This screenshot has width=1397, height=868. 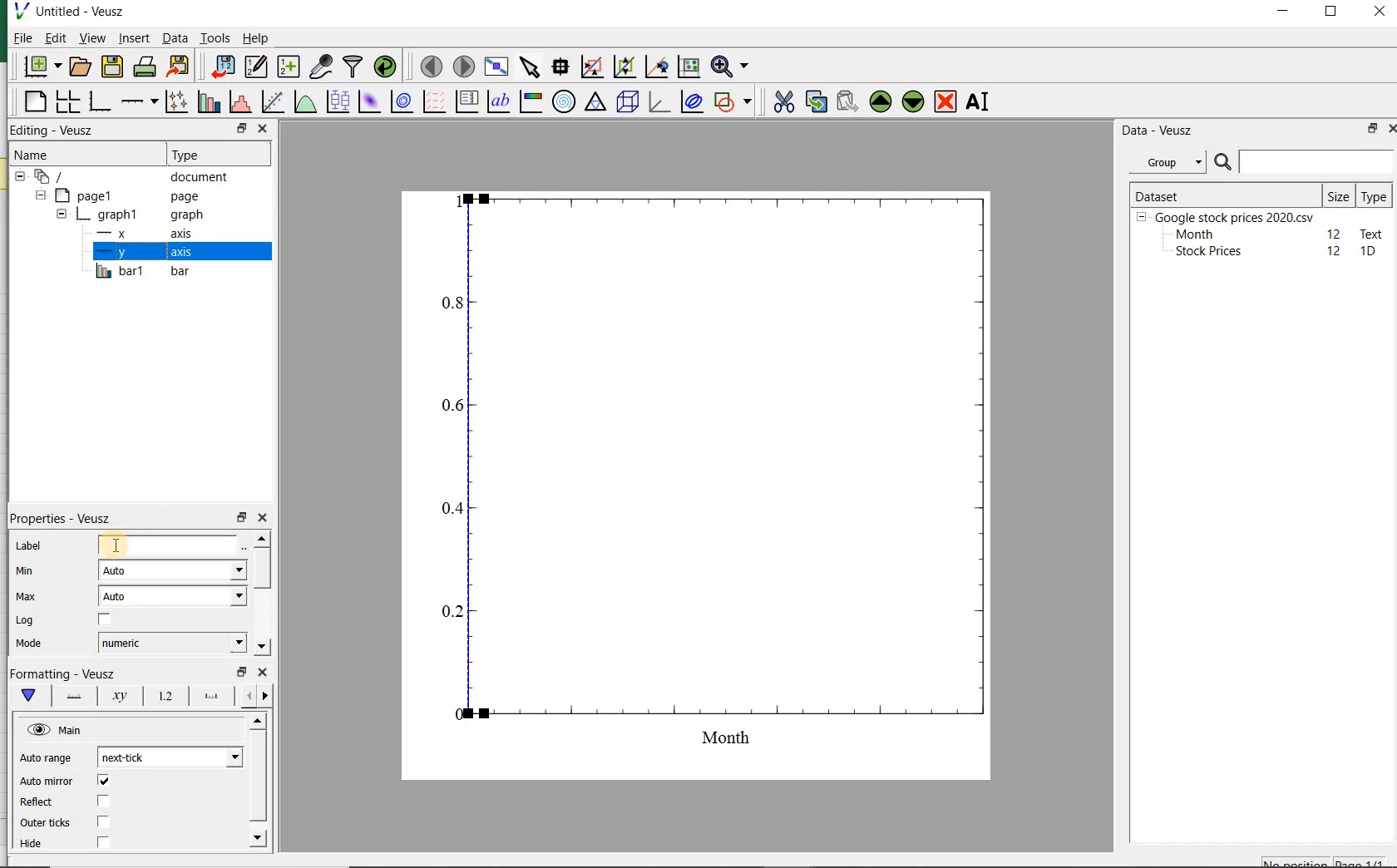 I want to click on Type, so click(x=207, y=153).